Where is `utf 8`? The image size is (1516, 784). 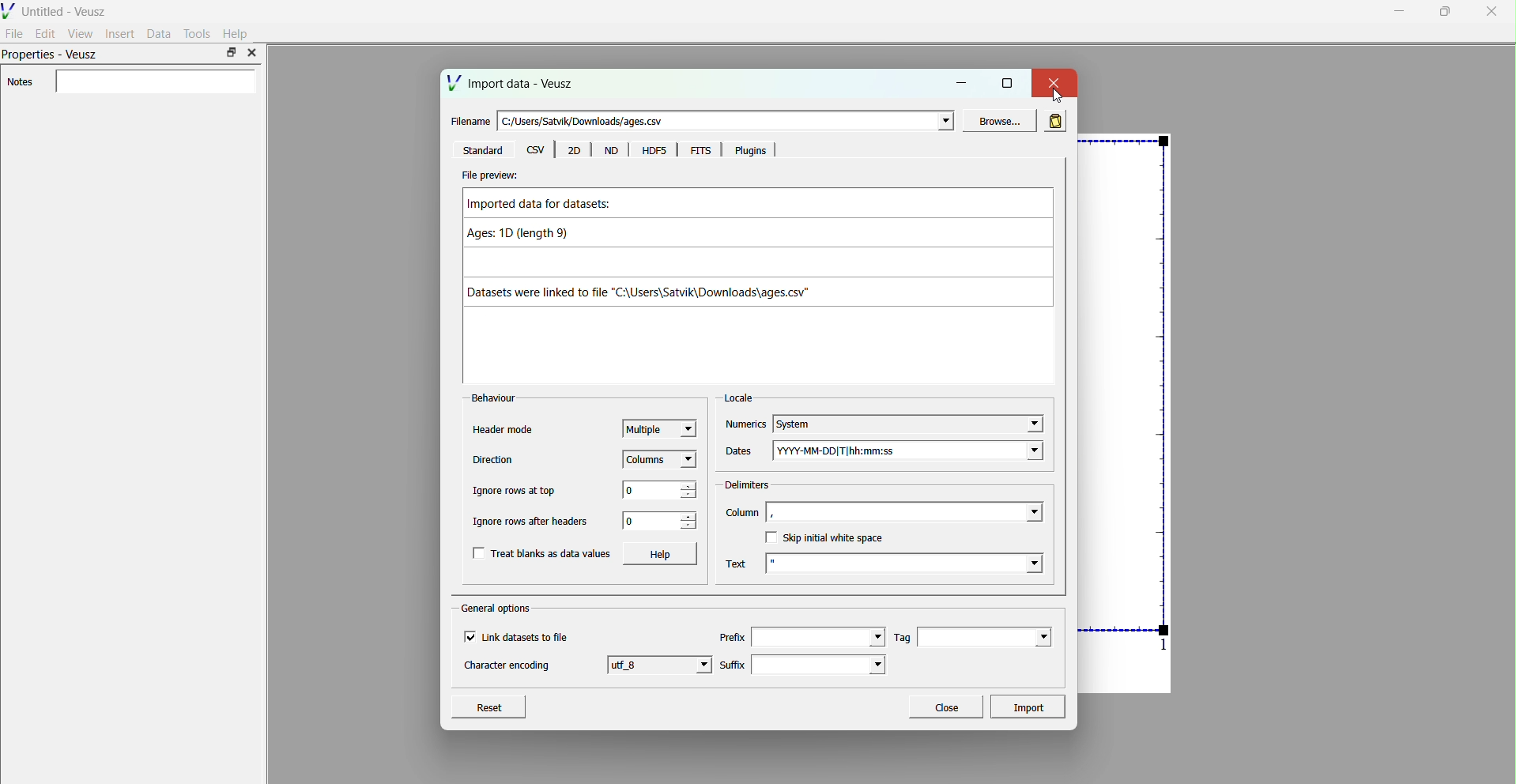 utf 8 is located at coordinates (662, 664).